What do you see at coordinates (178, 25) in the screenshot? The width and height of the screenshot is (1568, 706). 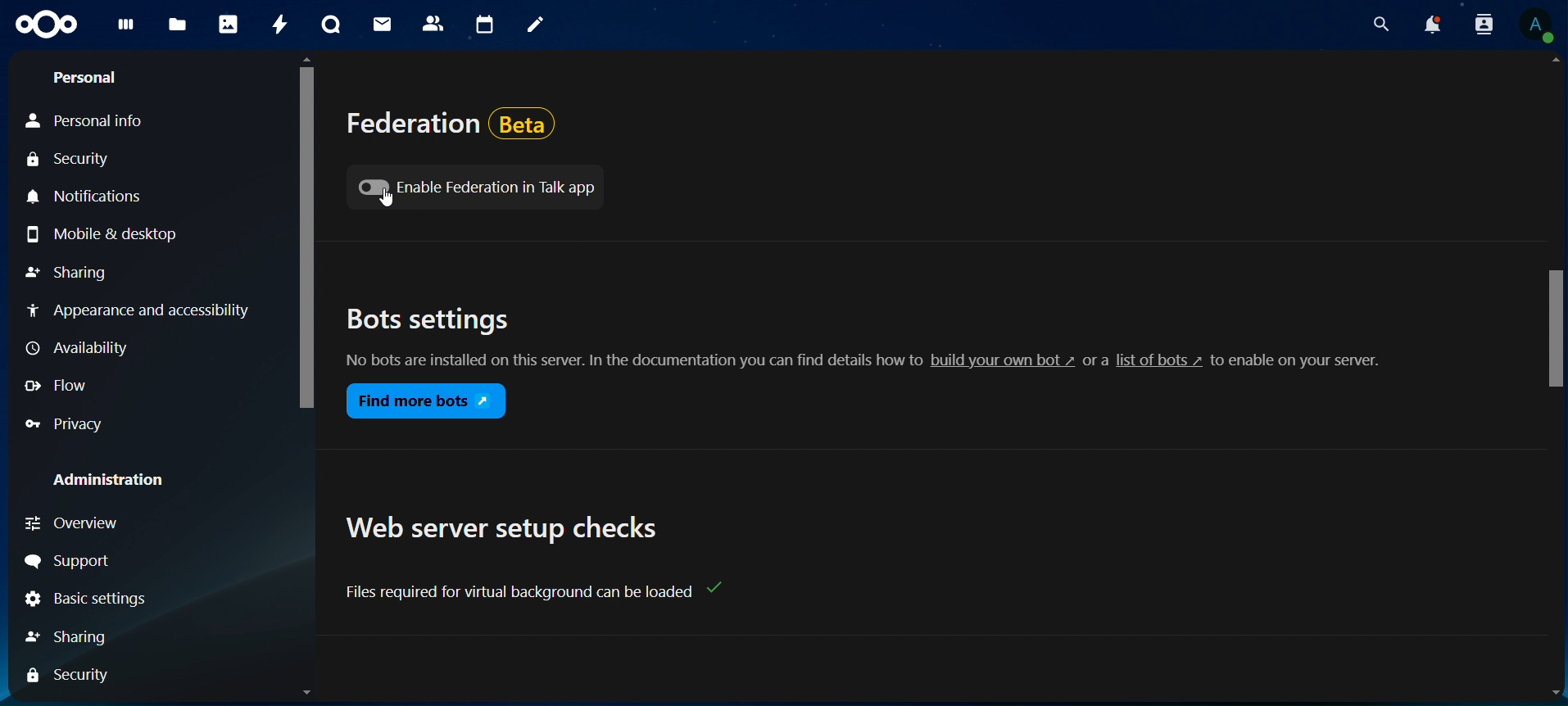 I see `files` at bounding box center [178, 25].